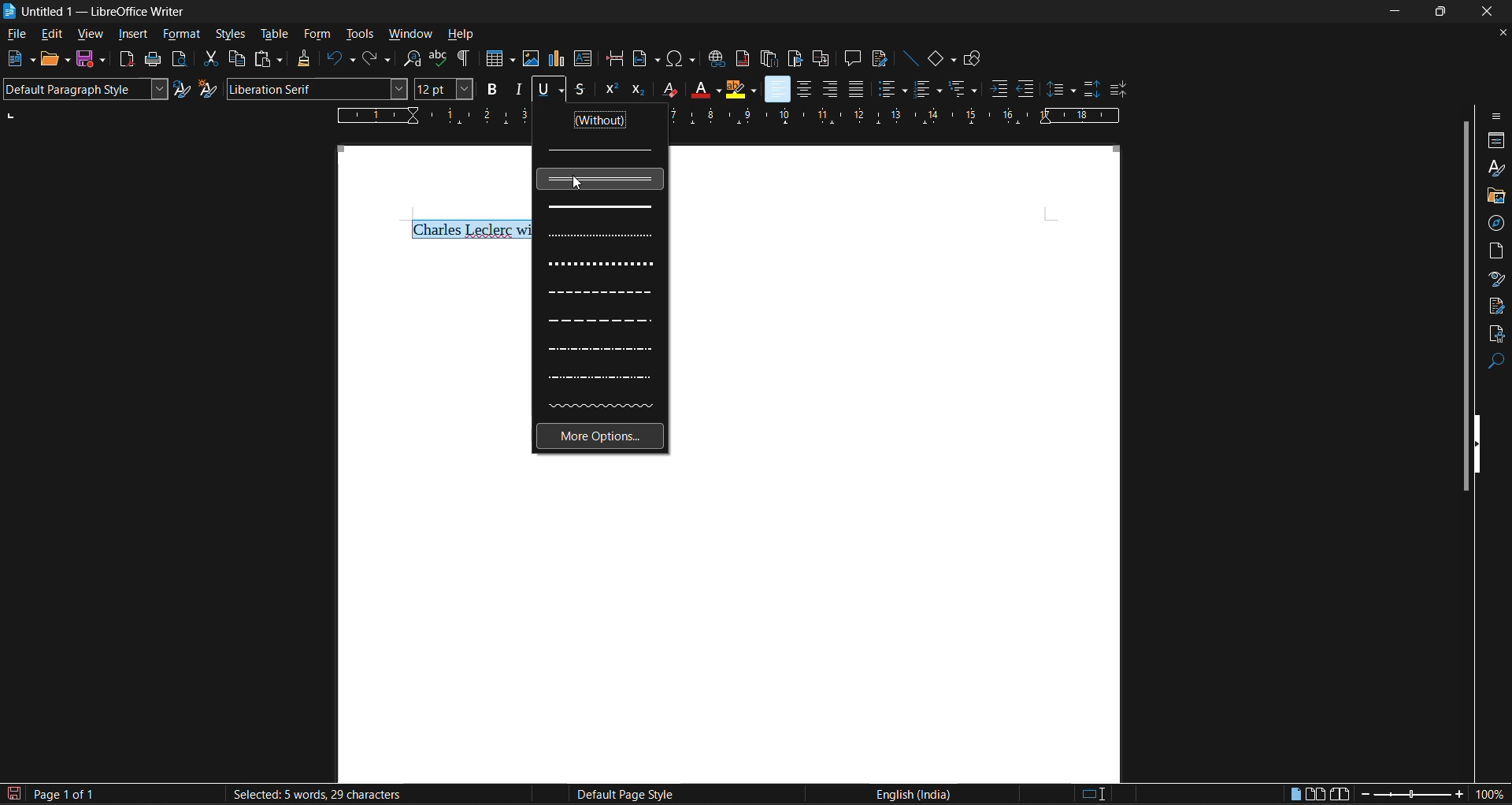 The height and width of the screenshot is (805, 1512). I want to click on insert table, so click(498, 58).